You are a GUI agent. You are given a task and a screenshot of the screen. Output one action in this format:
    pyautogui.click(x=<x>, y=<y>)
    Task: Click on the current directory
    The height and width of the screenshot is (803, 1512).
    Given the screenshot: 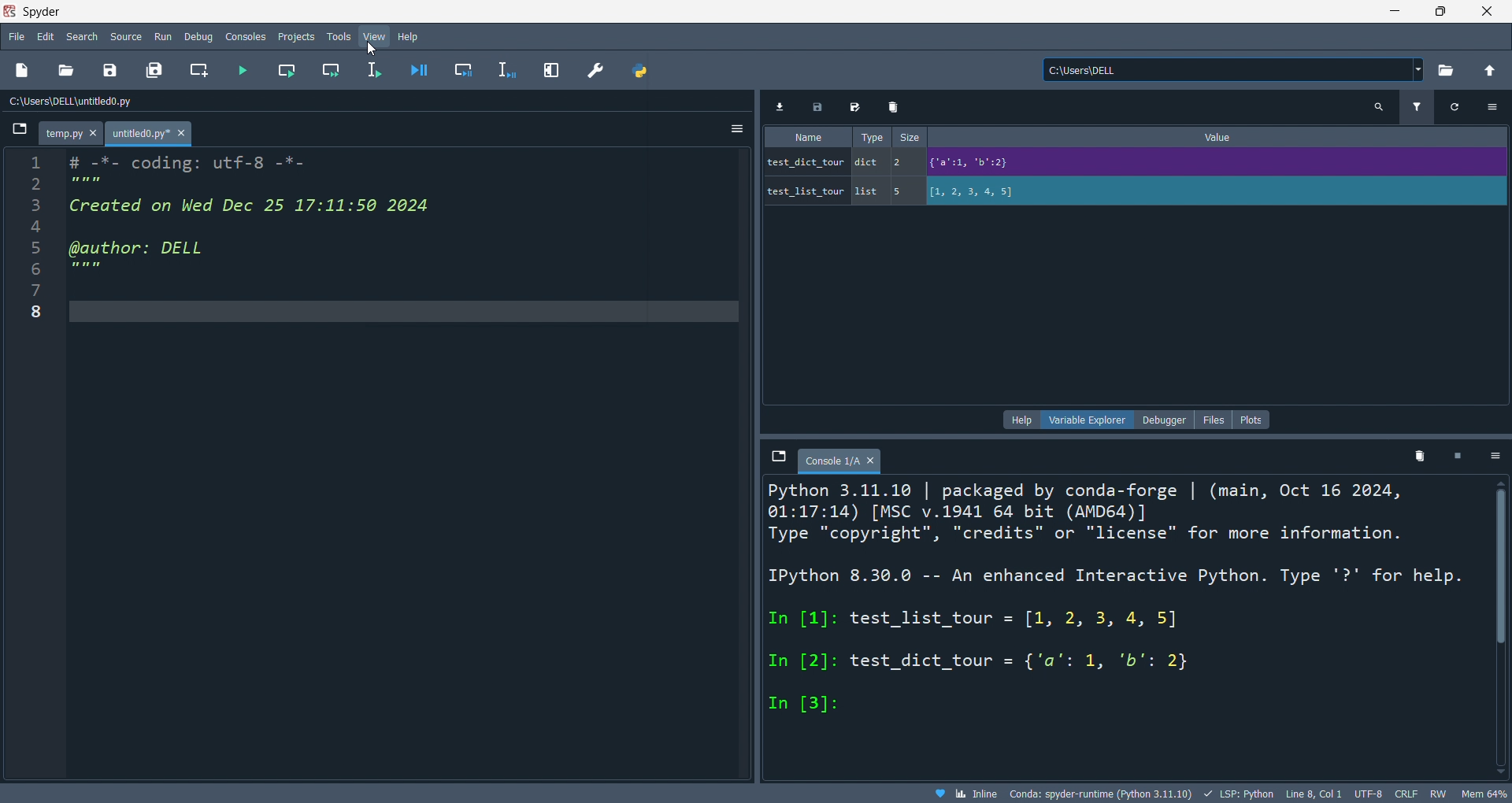 What is the action you would take?
    pyautogui.click(x=1233, y=71)
    